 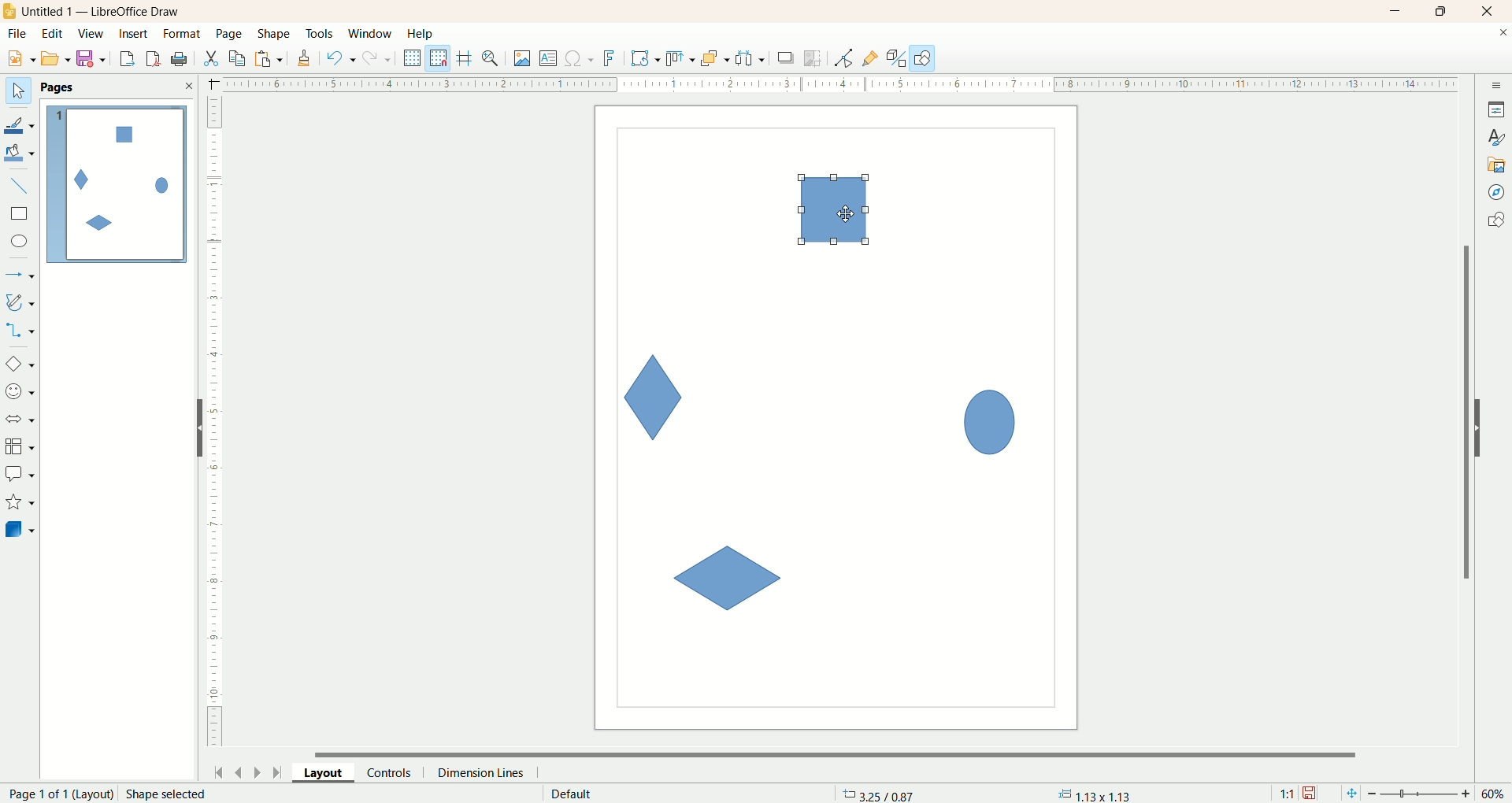 I want to click on special character, so click(x=580, y=59).